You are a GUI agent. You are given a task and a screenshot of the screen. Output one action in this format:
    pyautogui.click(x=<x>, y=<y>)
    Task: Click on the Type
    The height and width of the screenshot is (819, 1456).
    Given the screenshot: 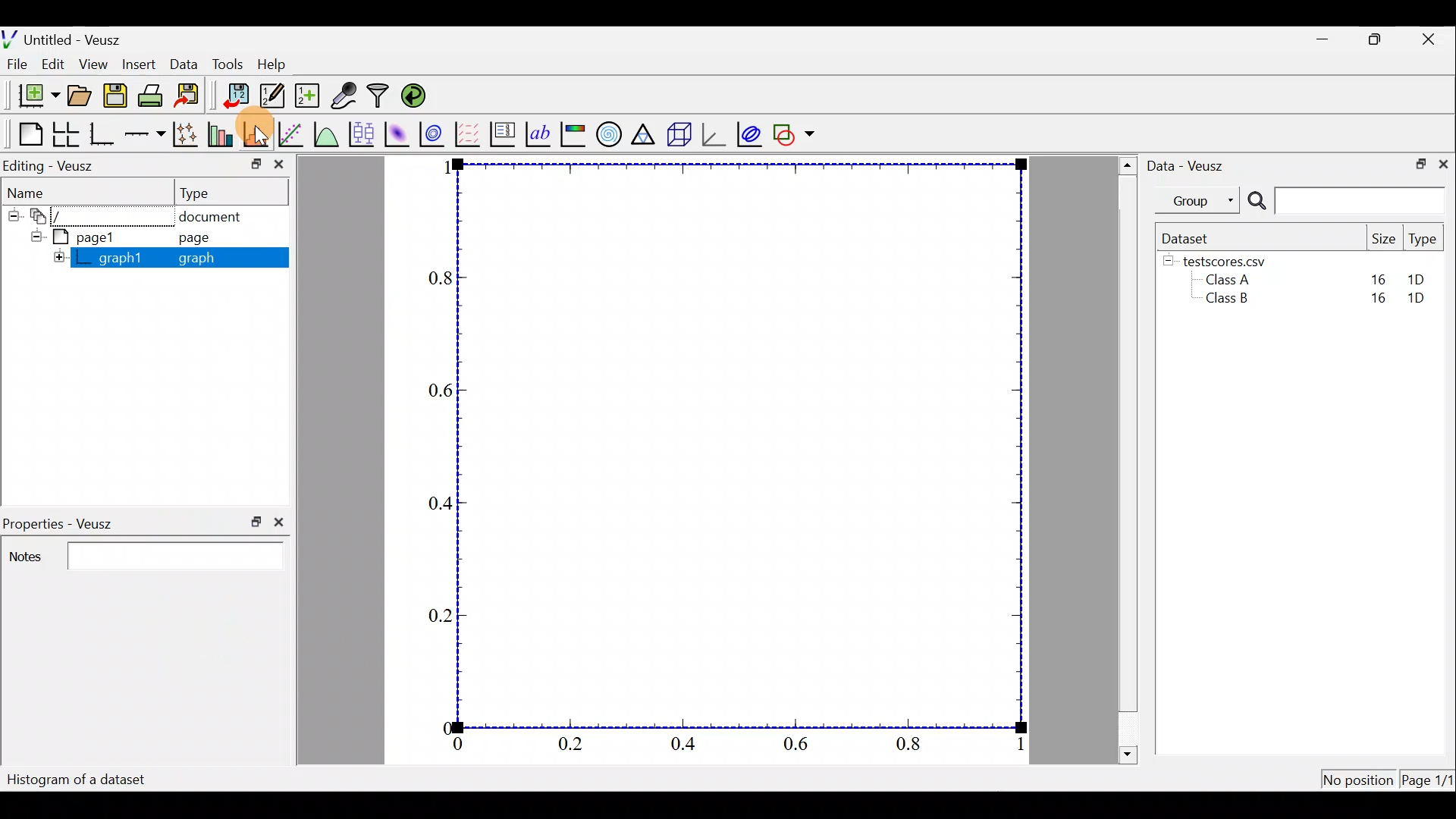 What is the action you would take?
    pyautogui.click(x=1423, y=240)
    